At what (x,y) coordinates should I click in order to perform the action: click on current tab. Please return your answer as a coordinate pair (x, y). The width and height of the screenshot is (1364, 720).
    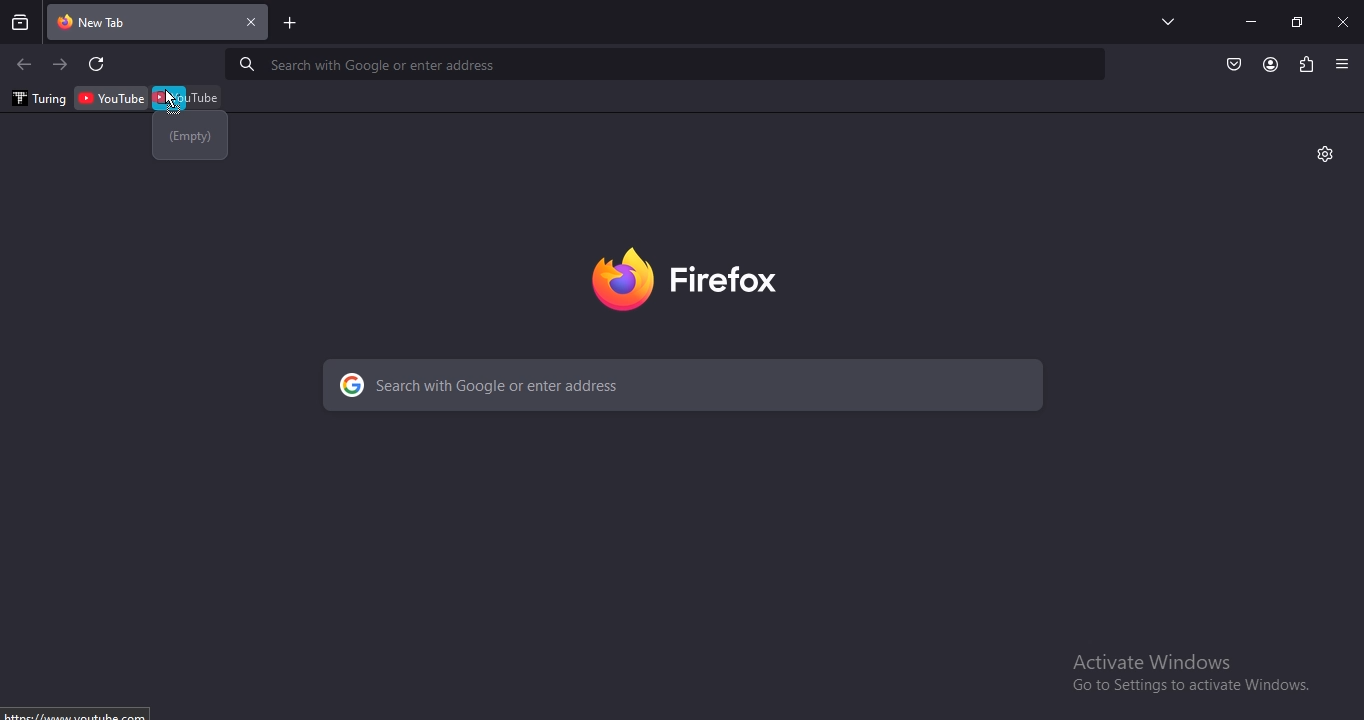
    Looking at the image, I should click on (159, 23).